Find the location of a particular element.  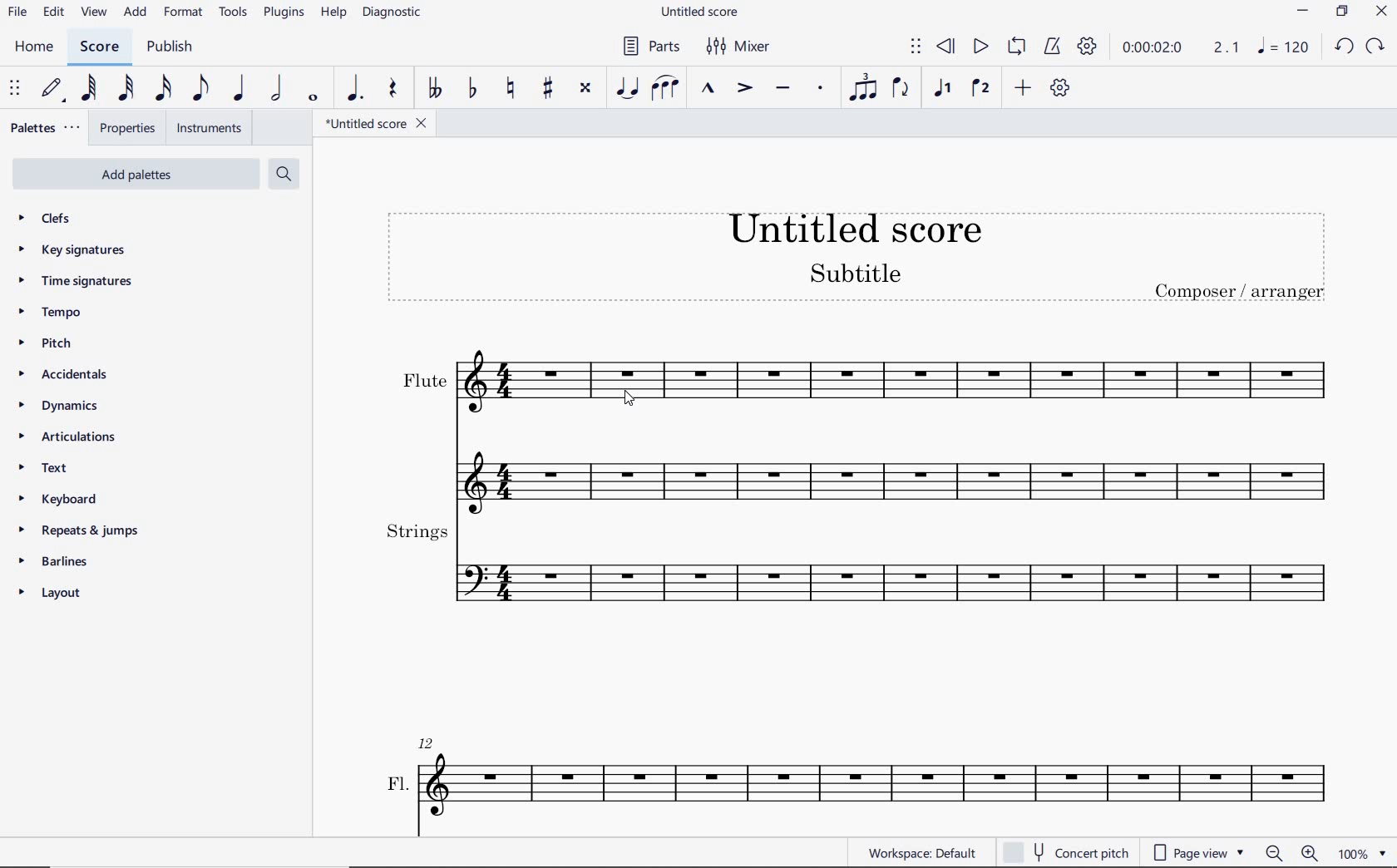

VOICE 2 is located at coordinates (980, 89).